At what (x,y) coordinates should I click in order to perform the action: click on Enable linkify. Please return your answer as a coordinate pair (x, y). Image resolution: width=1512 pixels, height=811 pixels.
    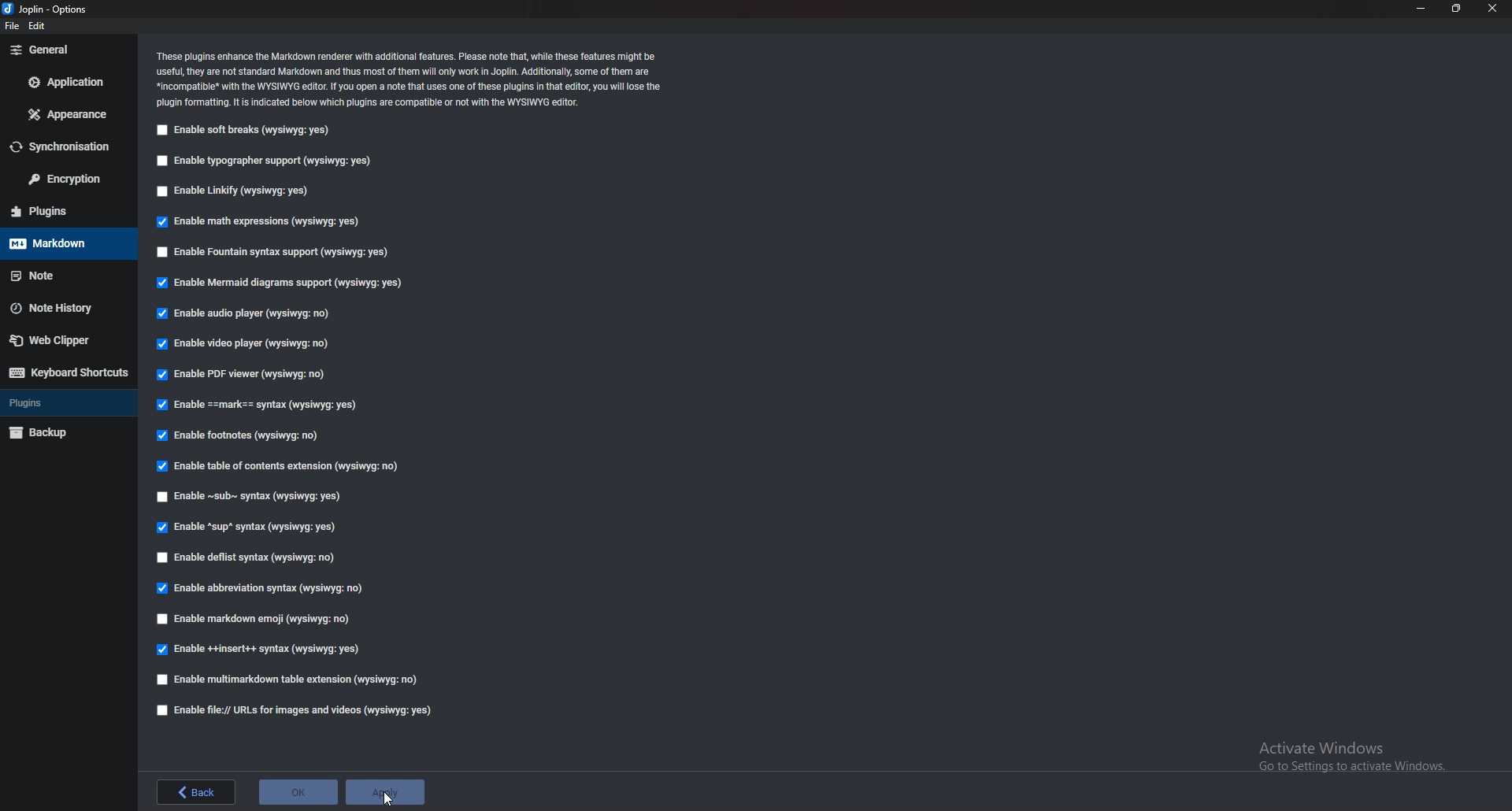
    Looking at the image, I should click on (235, 192).